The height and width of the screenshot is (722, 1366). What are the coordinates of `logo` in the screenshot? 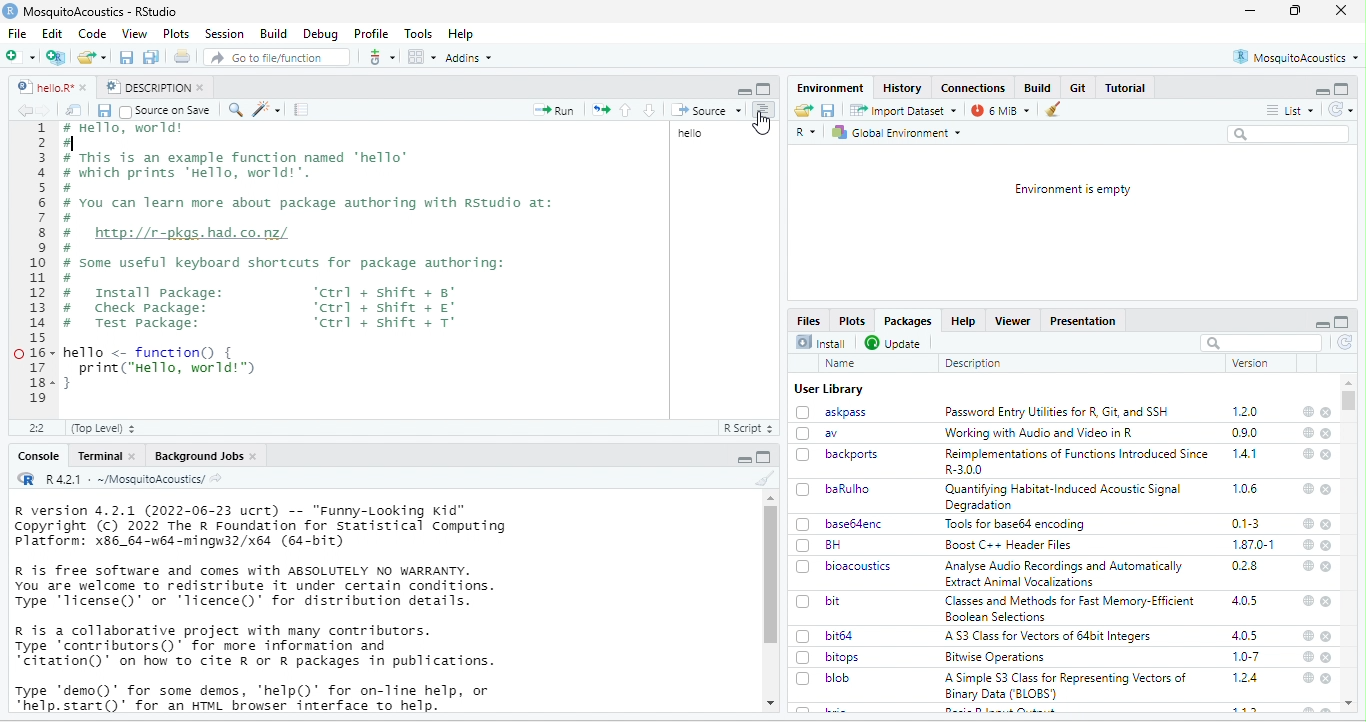 It's located at (10, 11).